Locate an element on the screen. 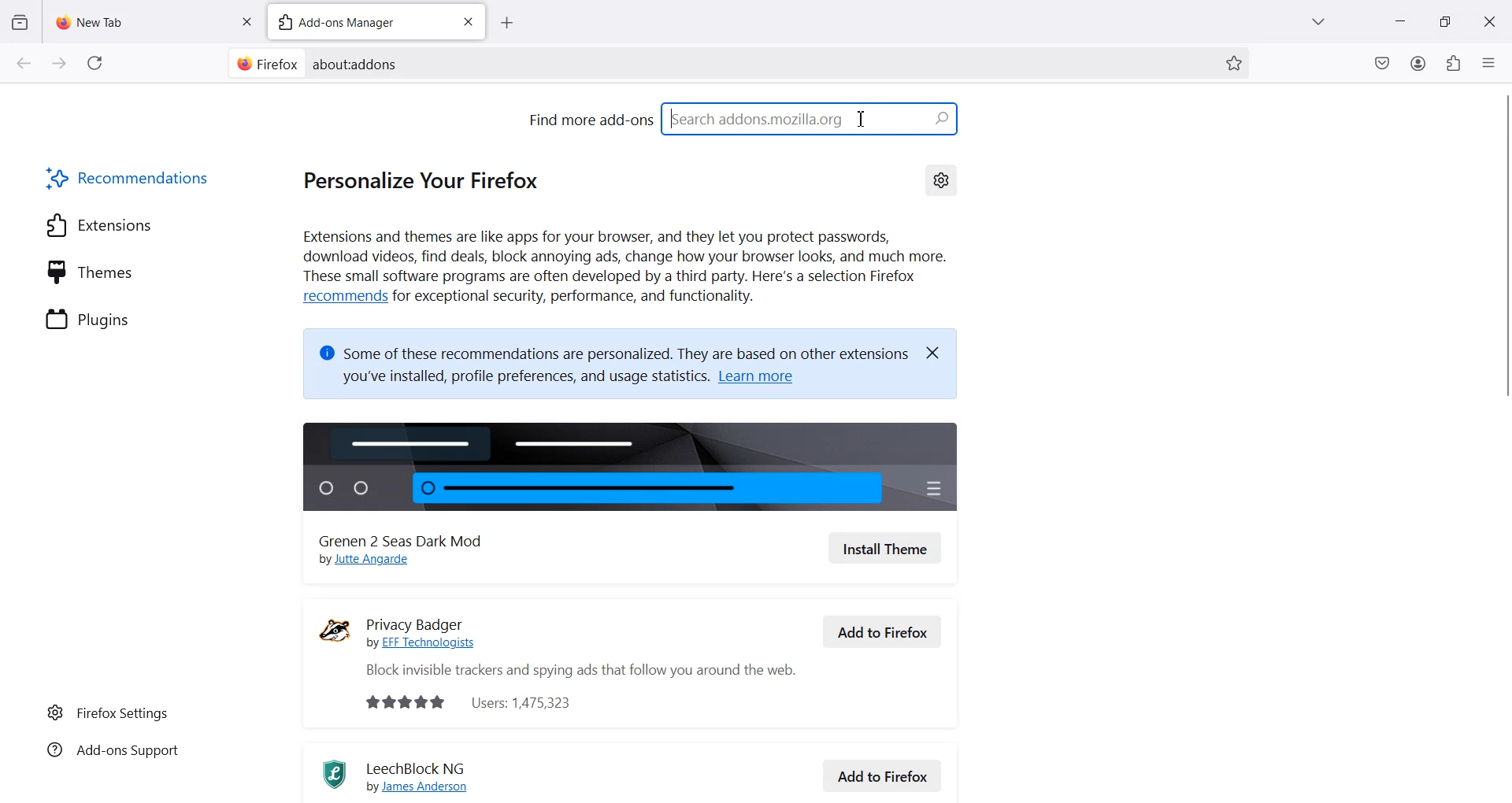  Add-ons Managers is located at coordinates (355, 21).